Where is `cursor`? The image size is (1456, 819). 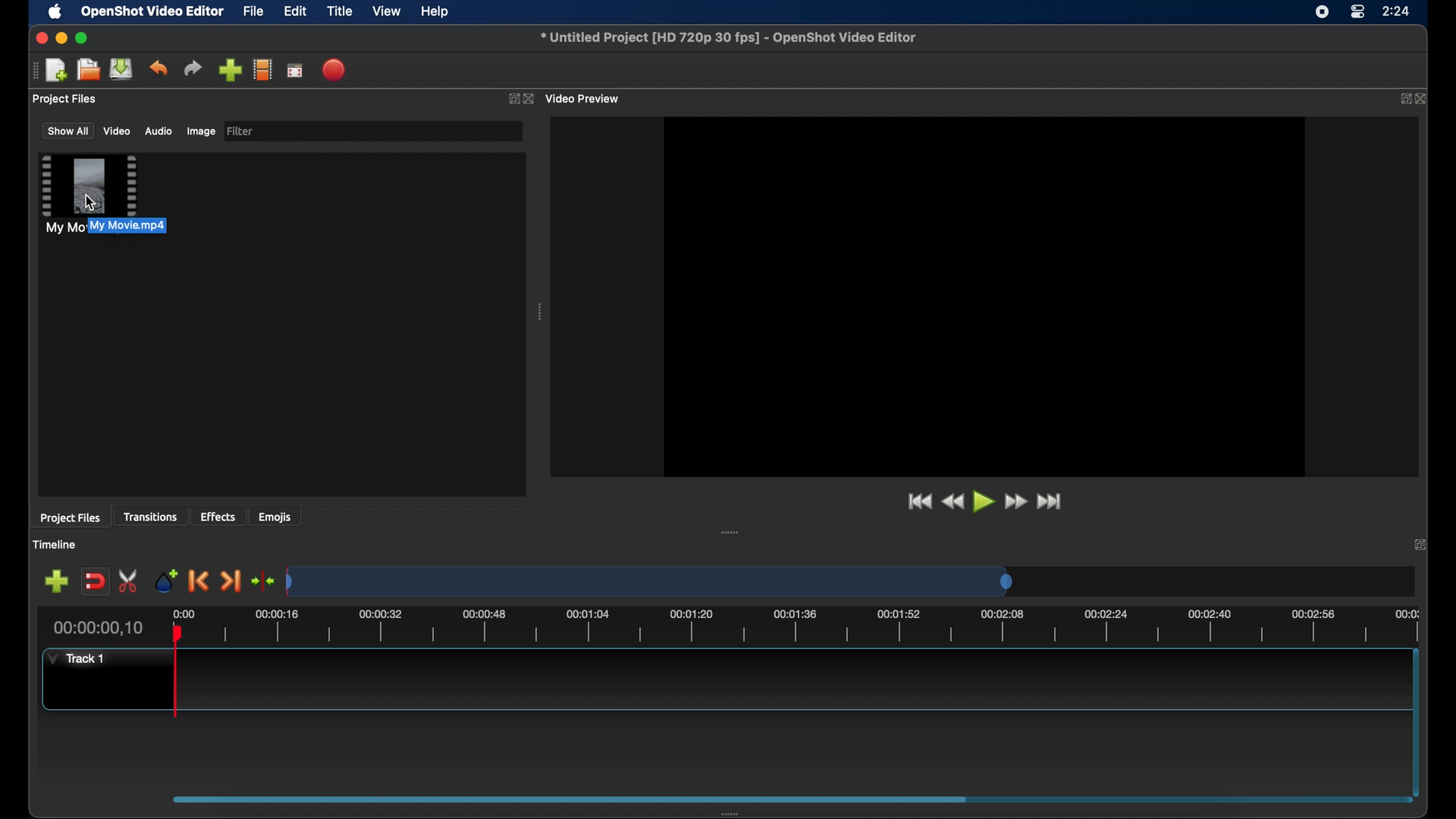
cursor is located at coordinates (93, 199).